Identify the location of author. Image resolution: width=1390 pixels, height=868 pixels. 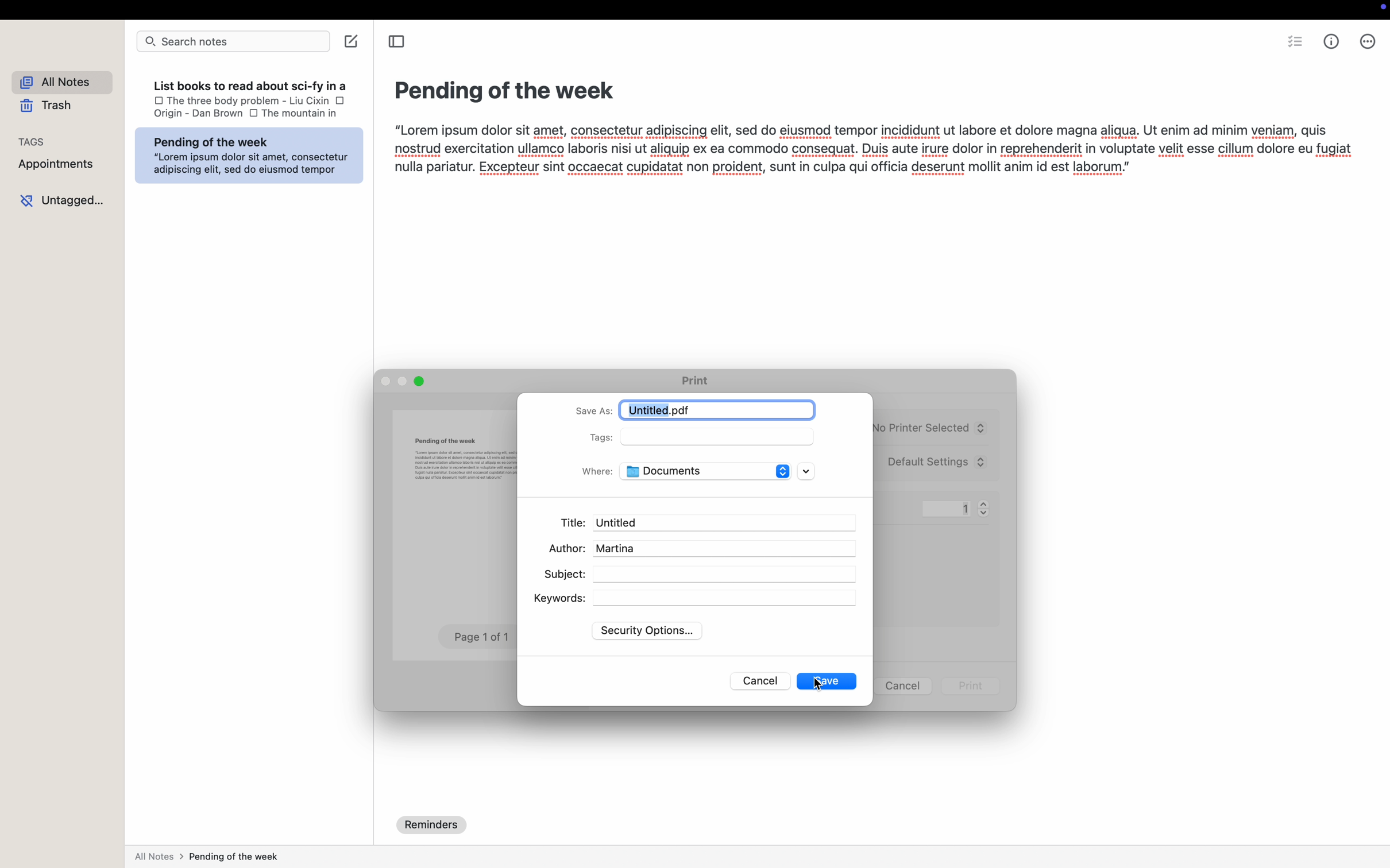
(570, 549).